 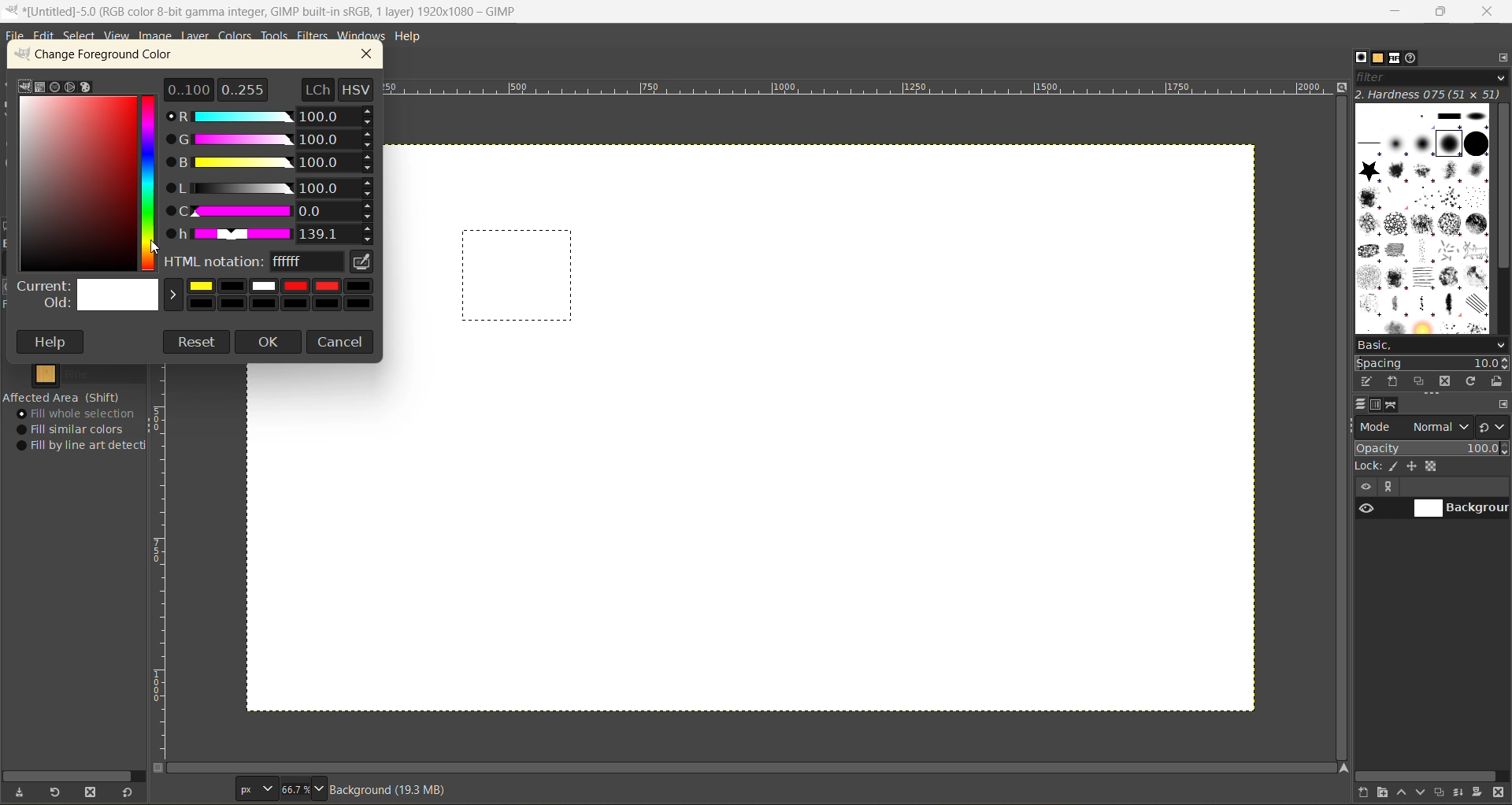 I want to click on create a new brush, so click(x=1395, y=380).